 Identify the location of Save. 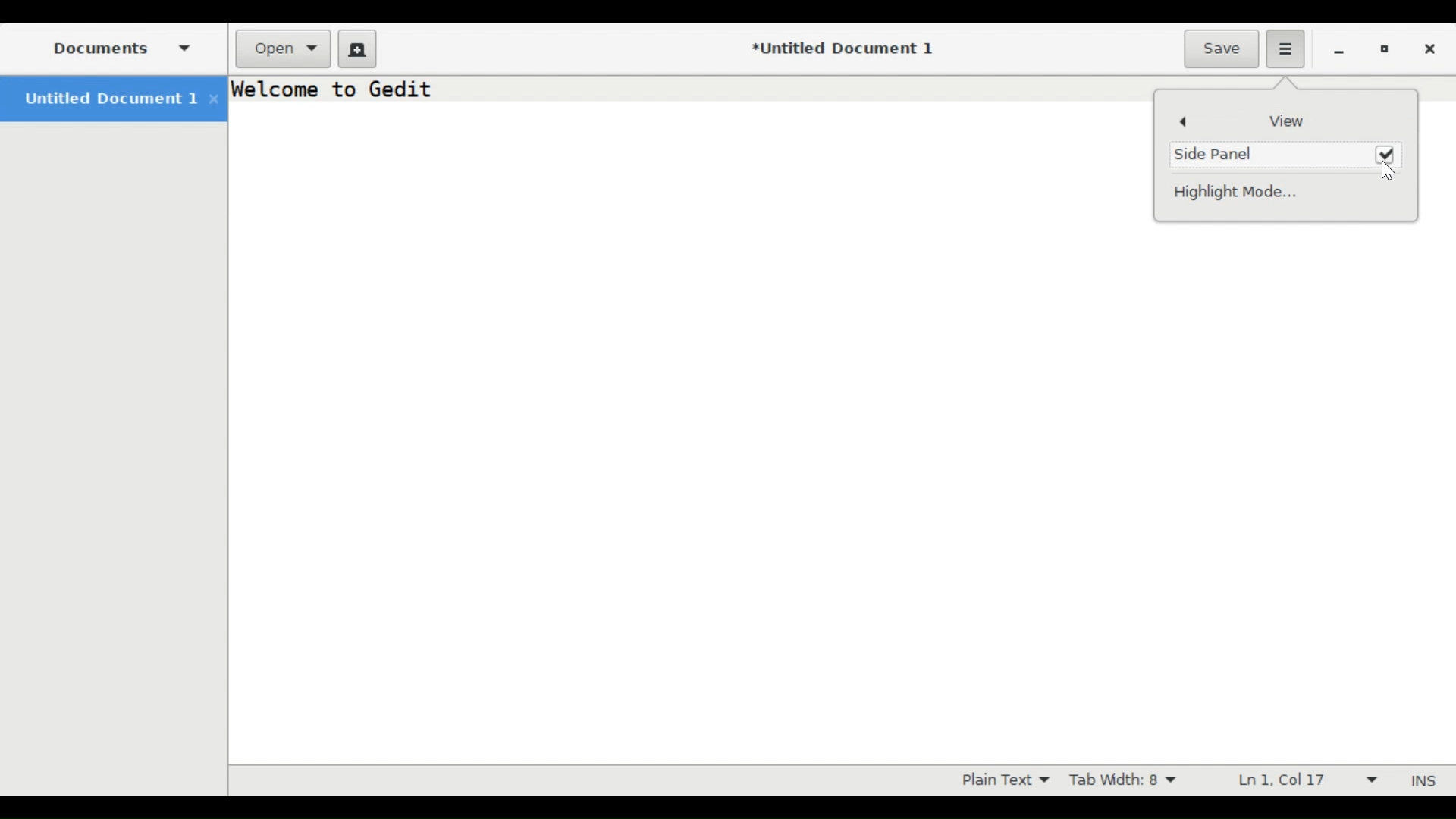
(1222, 48).